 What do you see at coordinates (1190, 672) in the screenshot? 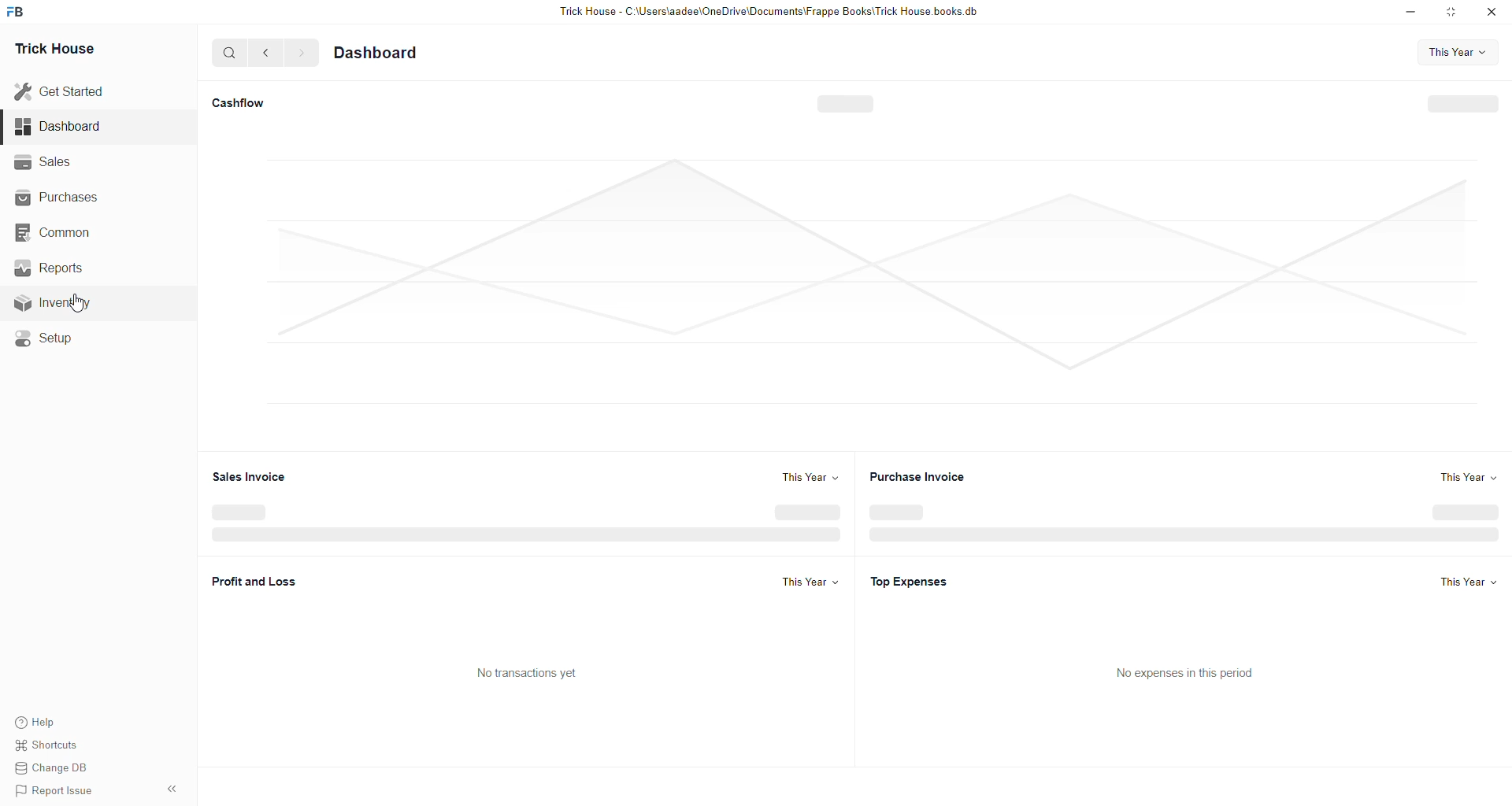
I see `No expenses in this period` at bounding box center [1190, 672].